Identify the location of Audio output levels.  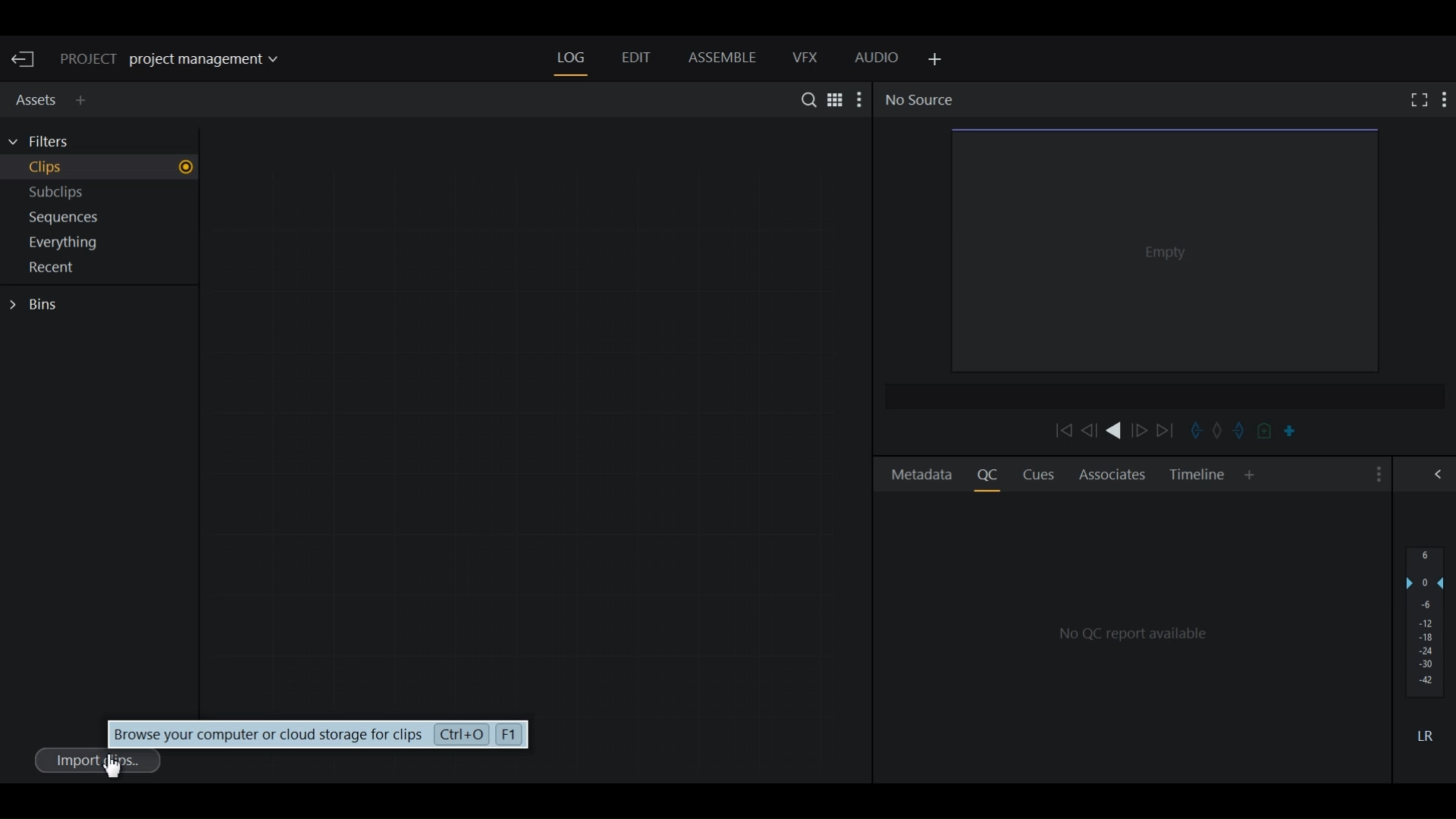
(1425, 621).